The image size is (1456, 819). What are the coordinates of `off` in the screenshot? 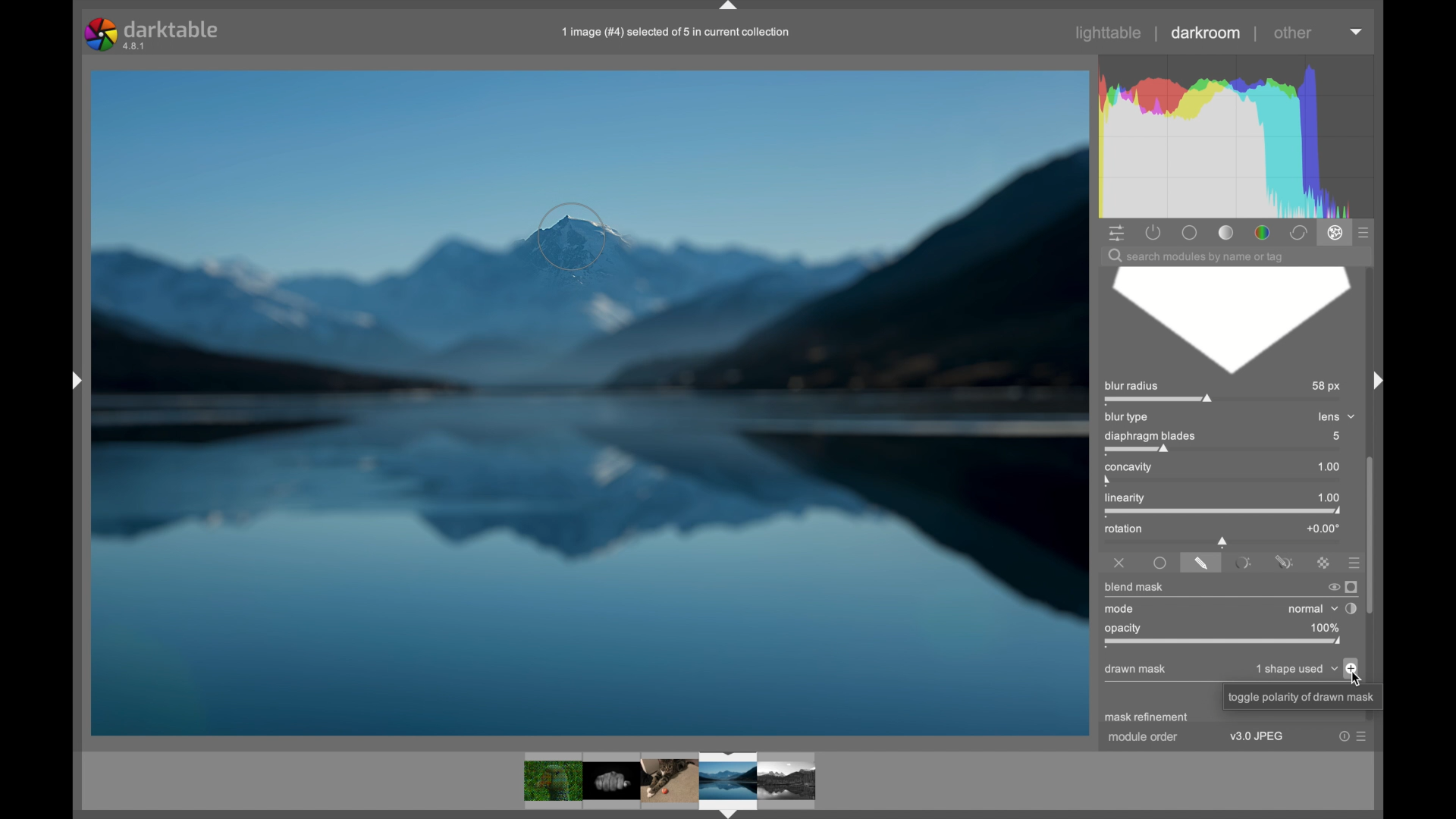 It's located at (1119, 560).